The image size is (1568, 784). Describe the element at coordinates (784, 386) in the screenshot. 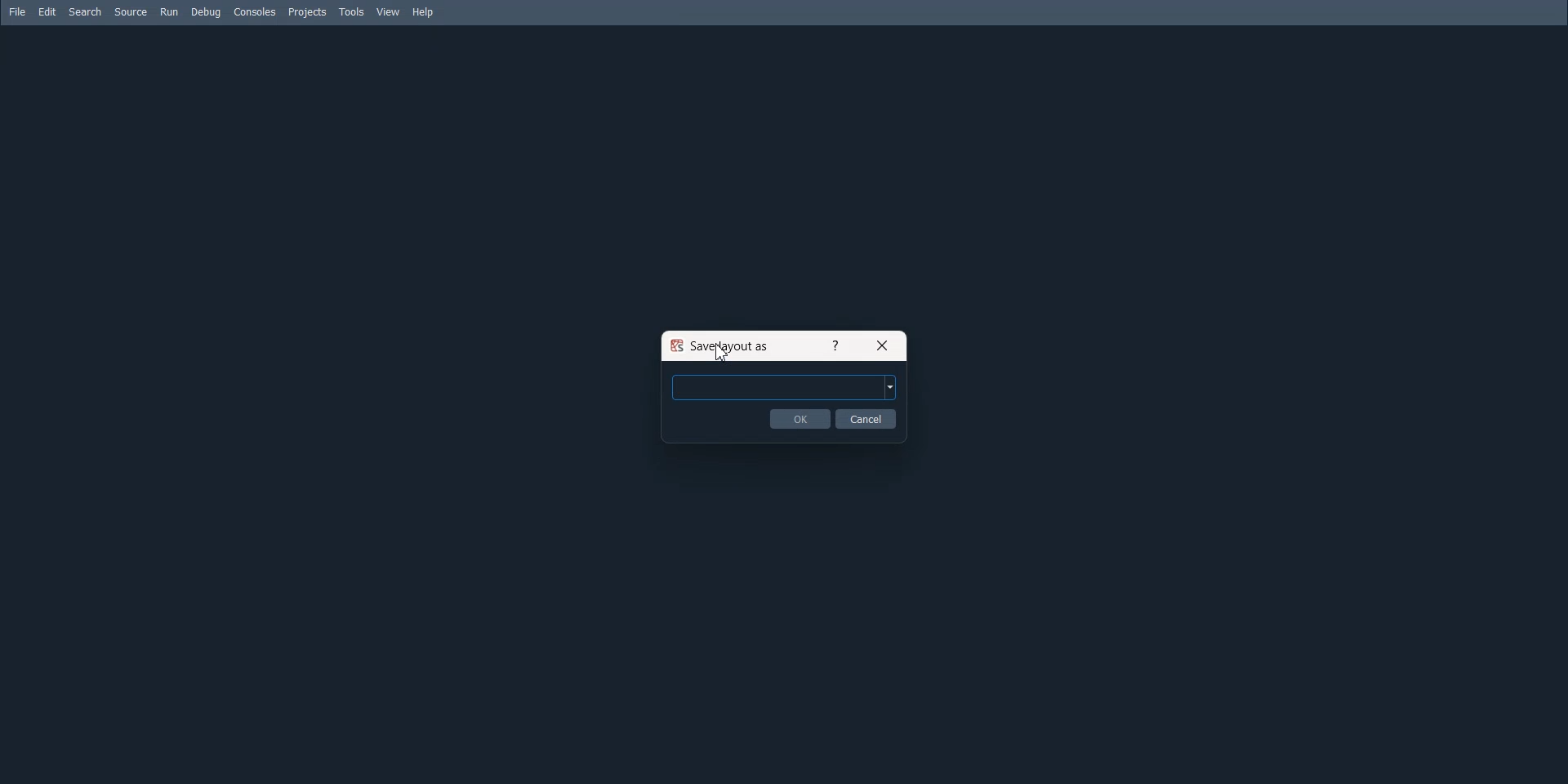

I see `Enter layout name` at that location.